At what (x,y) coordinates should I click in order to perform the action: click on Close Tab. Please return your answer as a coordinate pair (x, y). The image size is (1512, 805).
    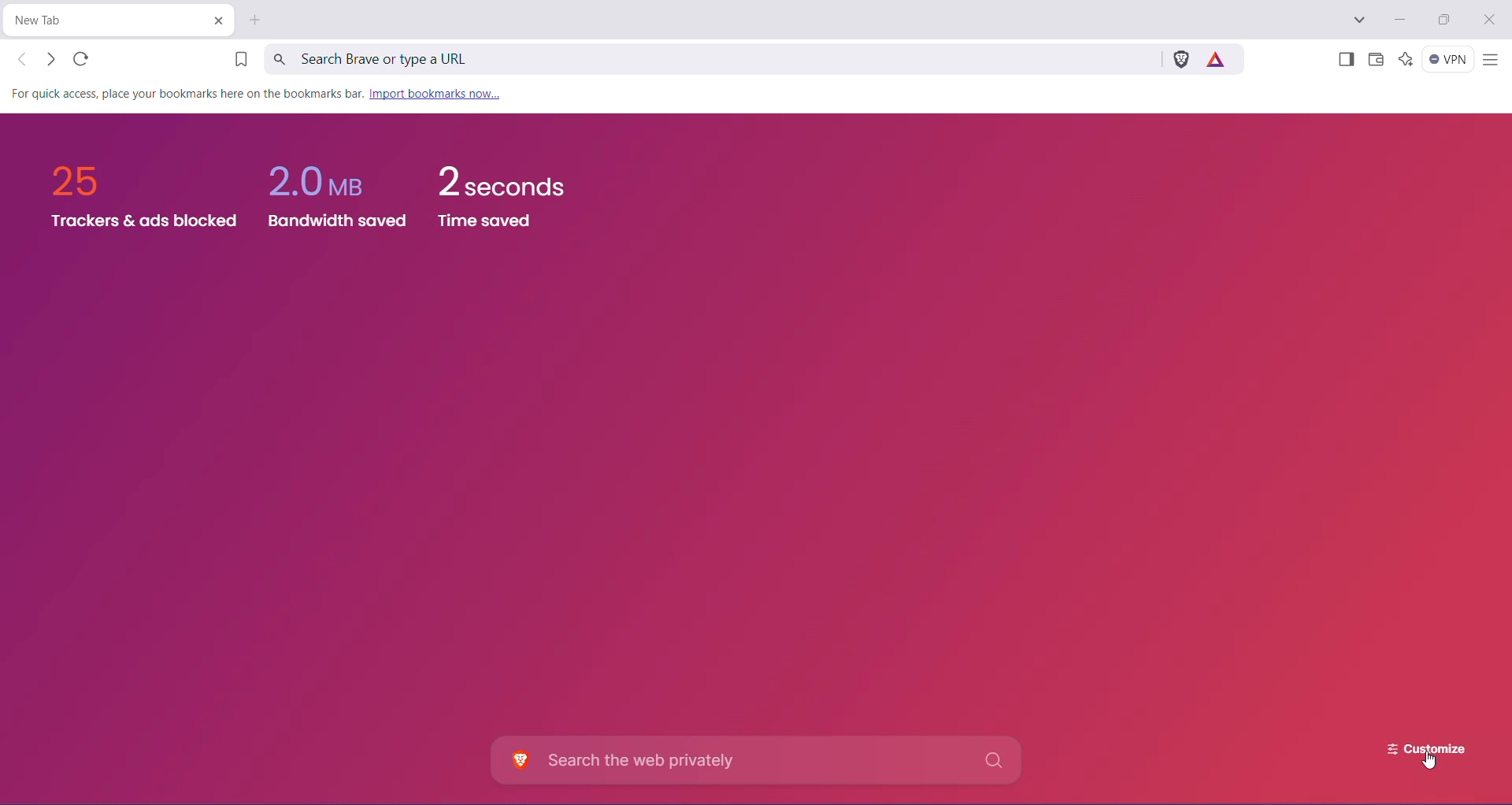
    Looking at the image, I should click on (217, 20).